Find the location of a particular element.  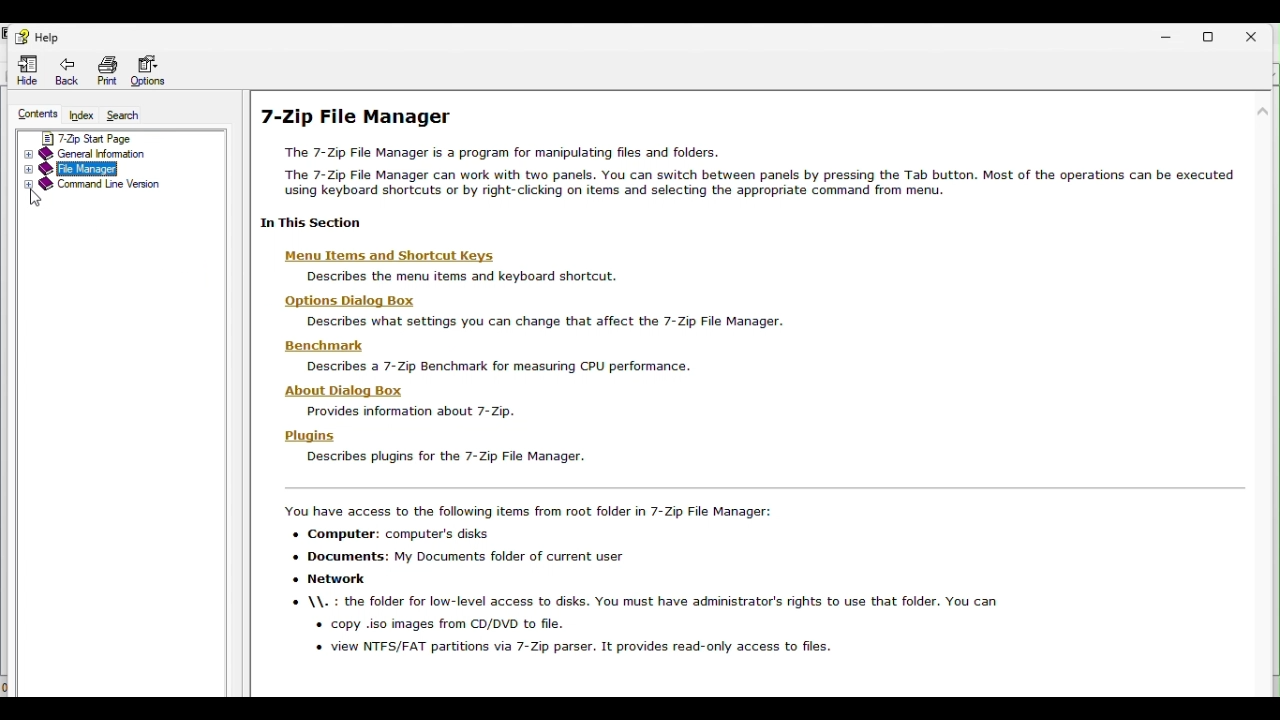

File manager is located at coordinates (82, 169).